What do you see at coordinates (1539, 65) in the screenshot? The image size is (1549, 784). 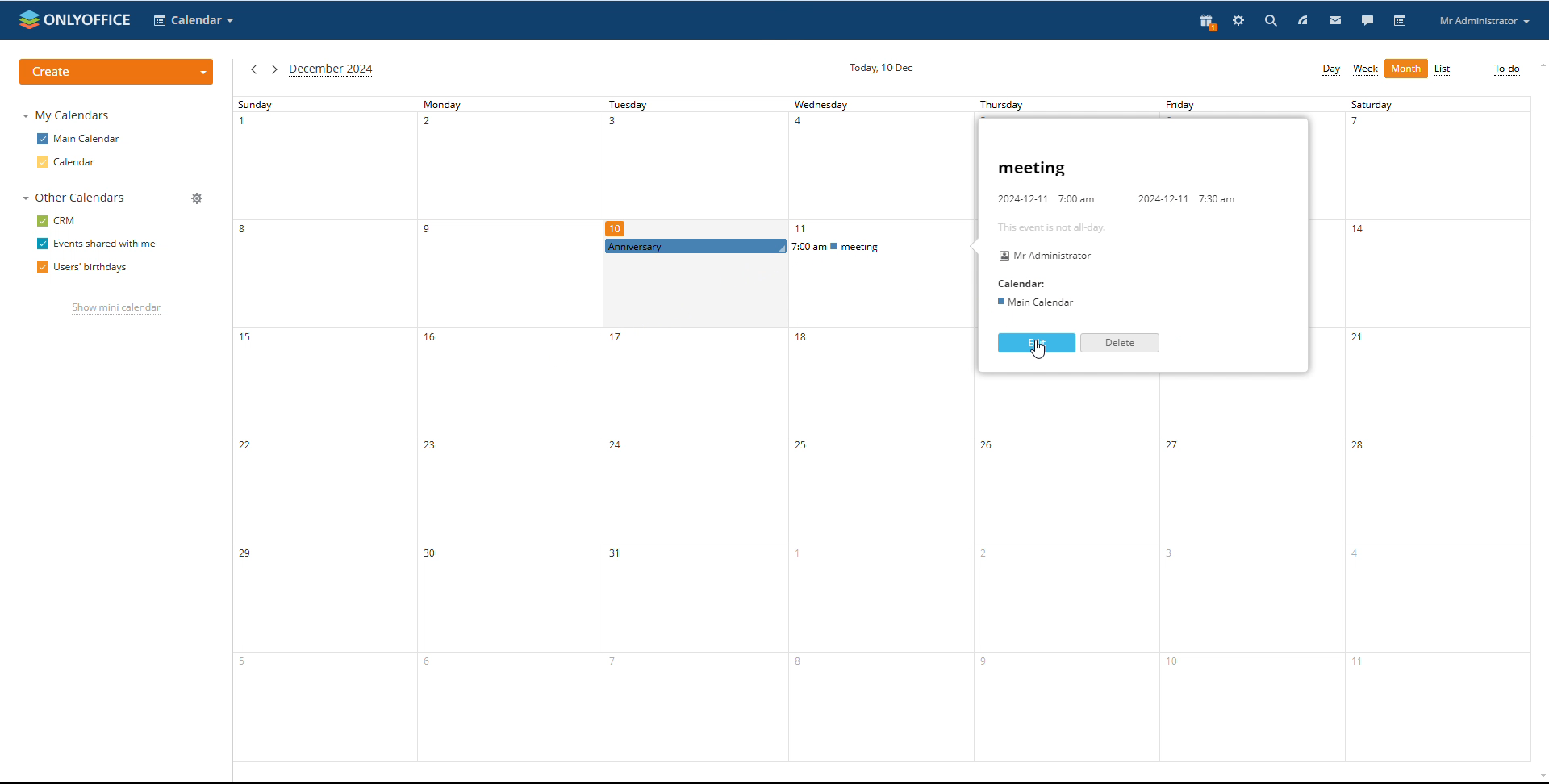 I see `scroll up` at bounding box center [1539, 65].